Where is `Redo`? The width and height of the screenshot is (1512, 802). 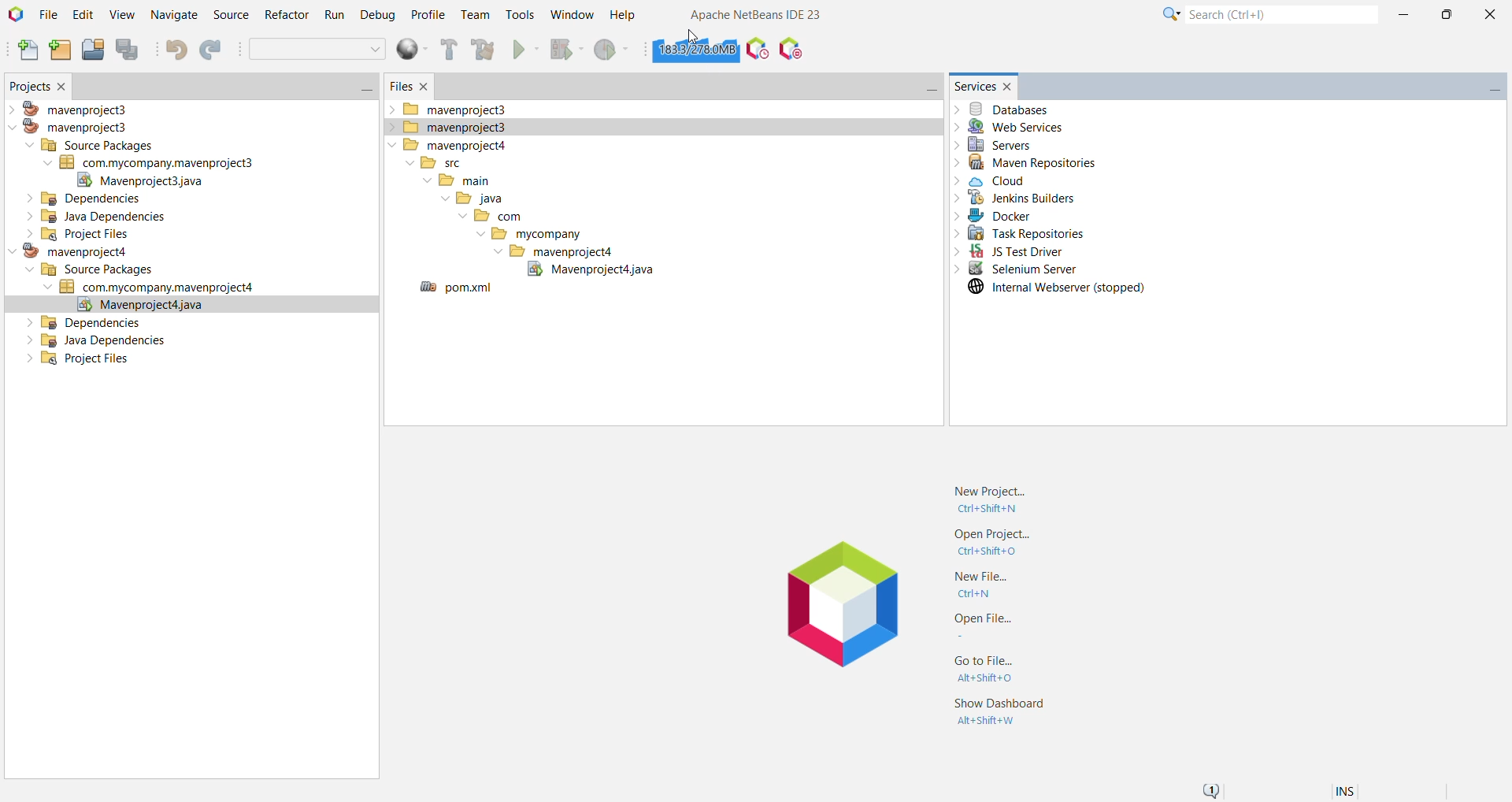
Redo is located at coordinates (214, 50).